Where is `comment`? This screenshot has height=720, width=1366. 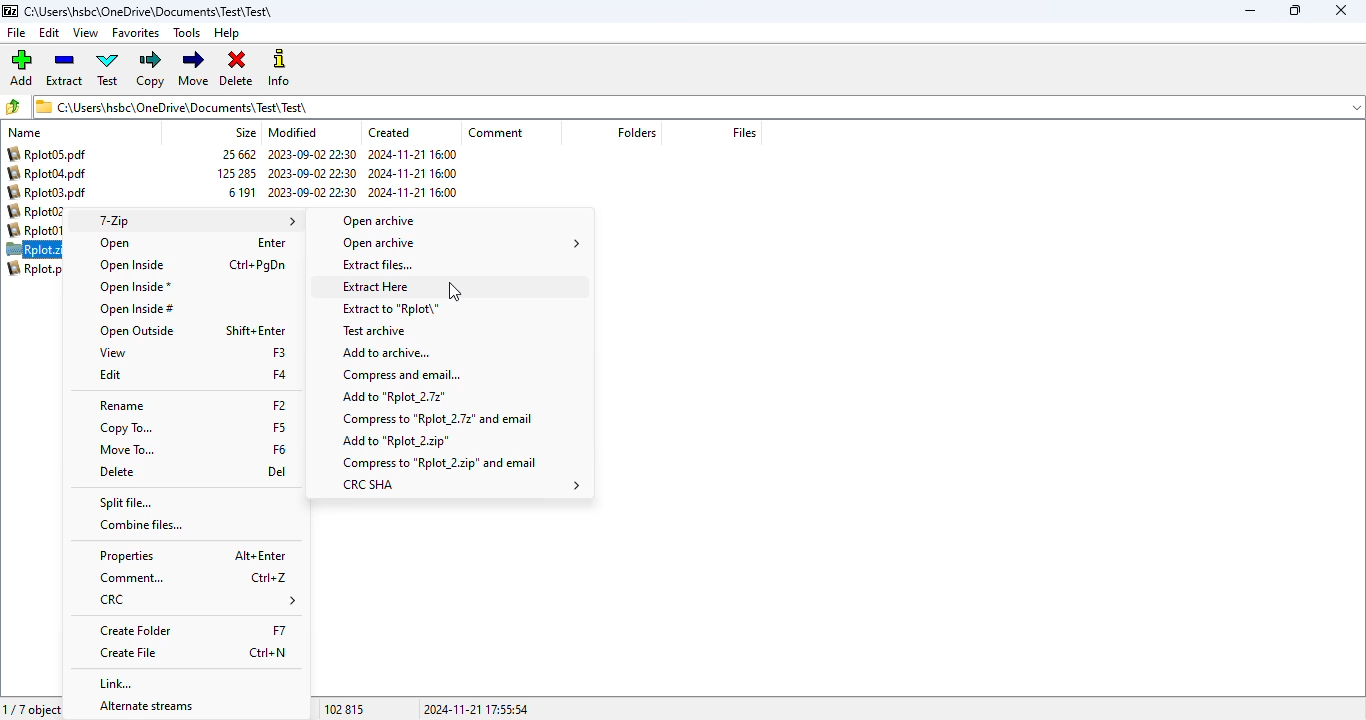
comment is located at coordinates (496, 132).